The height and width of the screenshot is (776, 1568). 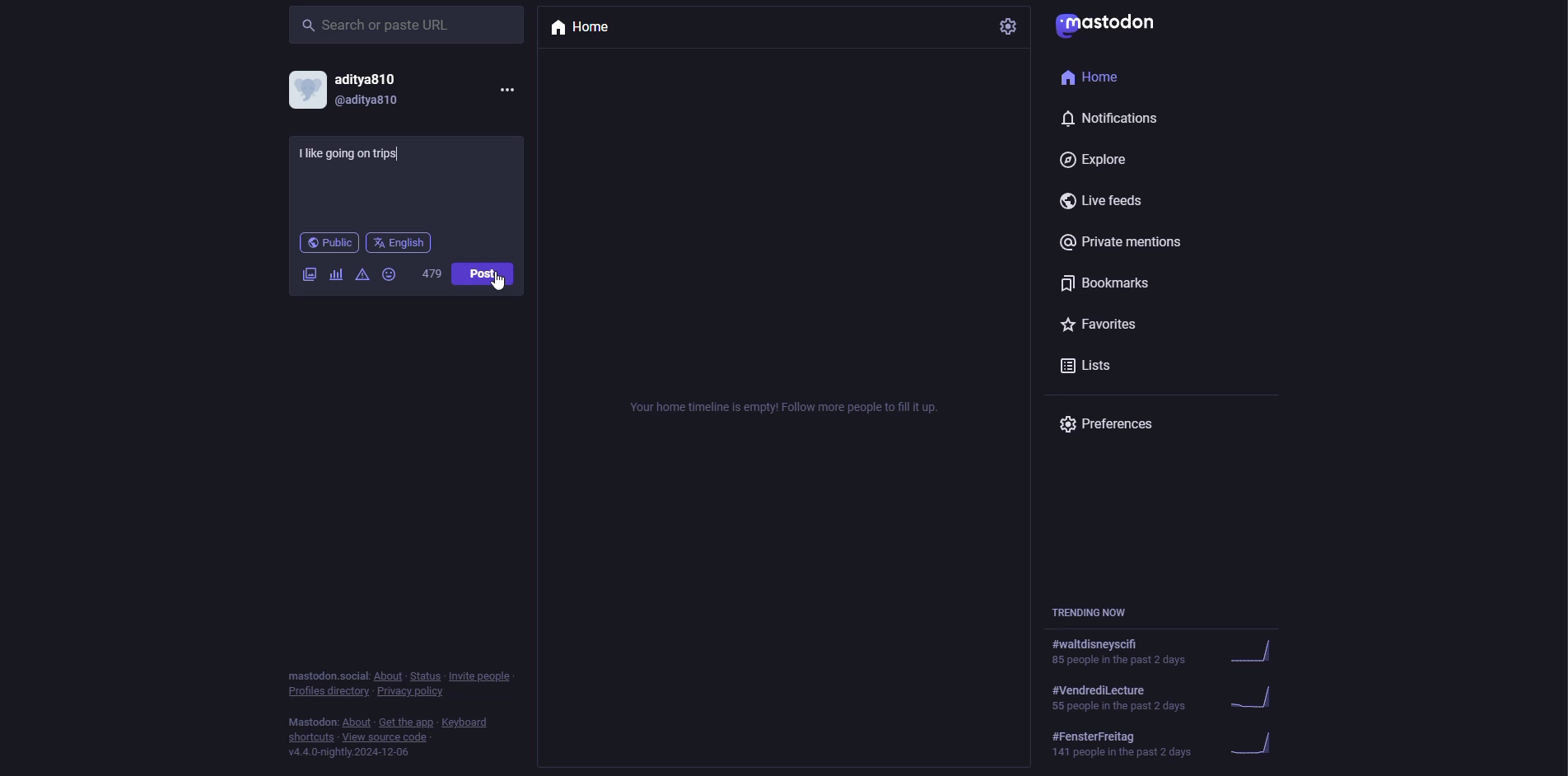 I want to click on account, so click(x=353, y=91).